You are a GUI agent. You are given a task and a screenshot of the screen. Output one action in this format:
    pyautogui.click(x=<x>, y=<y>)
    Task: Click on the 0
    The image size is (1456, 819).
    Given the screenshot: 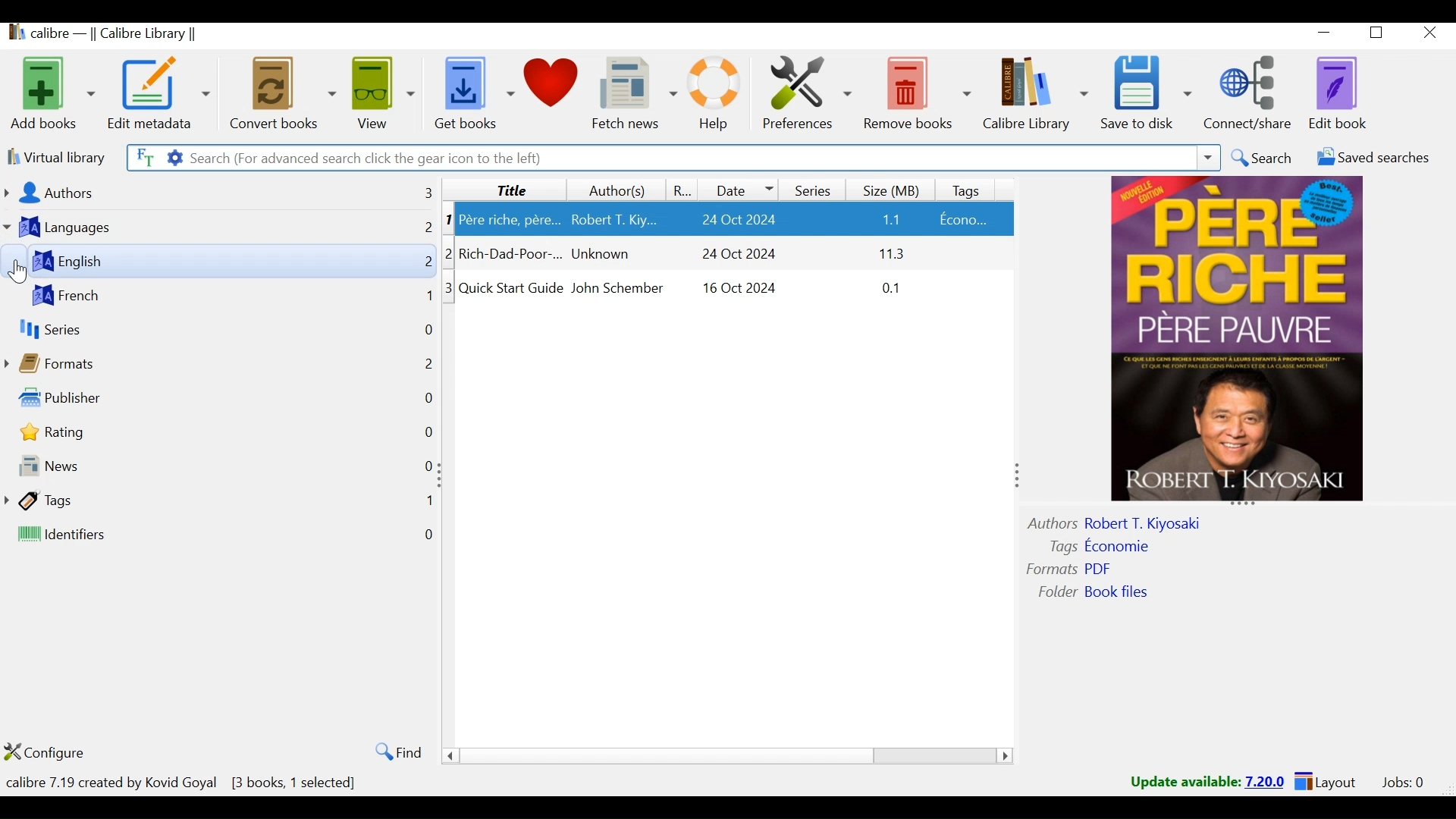 What is the action you would take?
    pyautogui.click(x=427, y=333)
    